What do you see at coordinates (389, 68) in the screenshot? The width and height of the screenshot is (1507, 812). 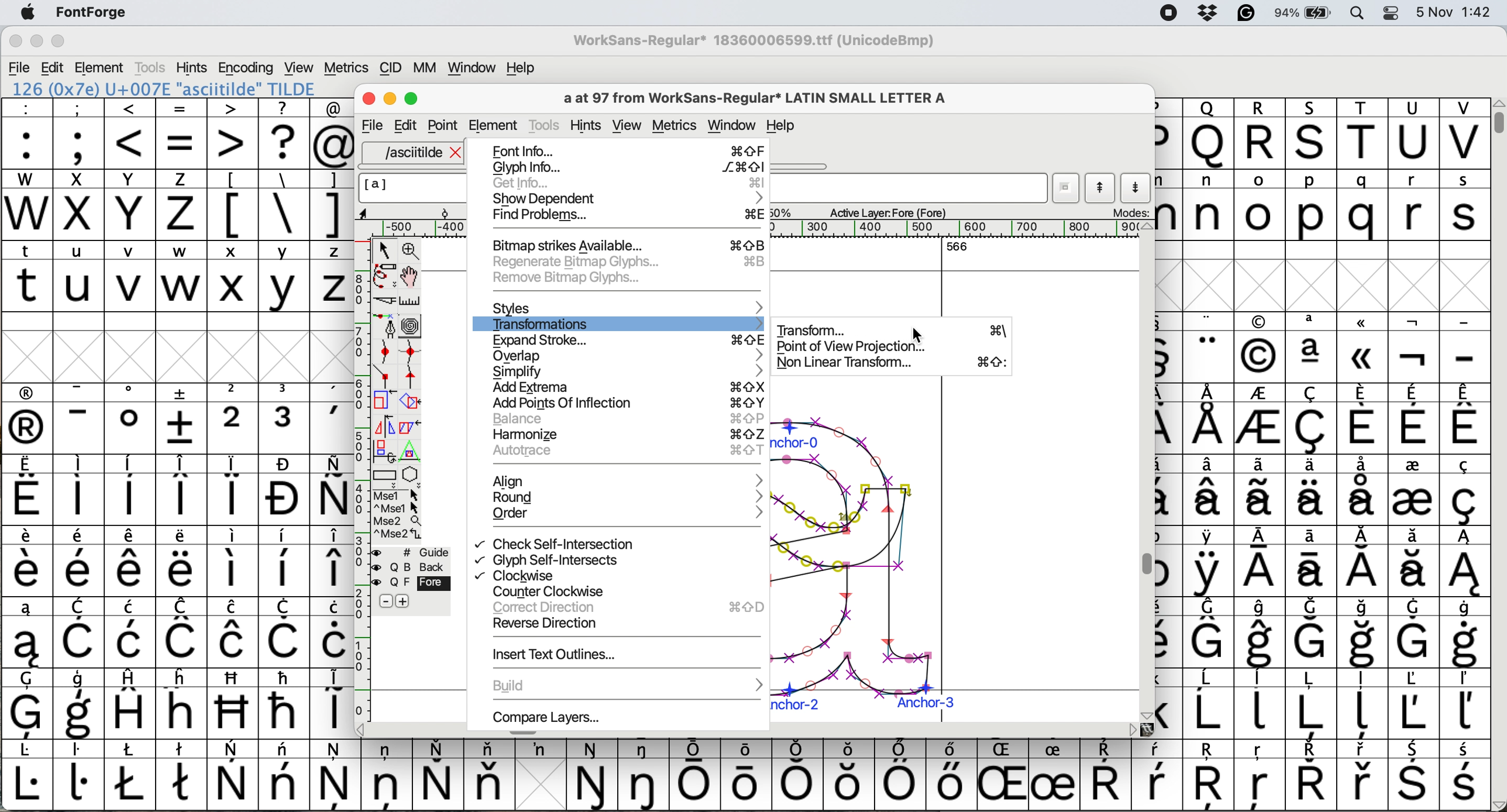 I see `cid` at bounding box center [389, 68].